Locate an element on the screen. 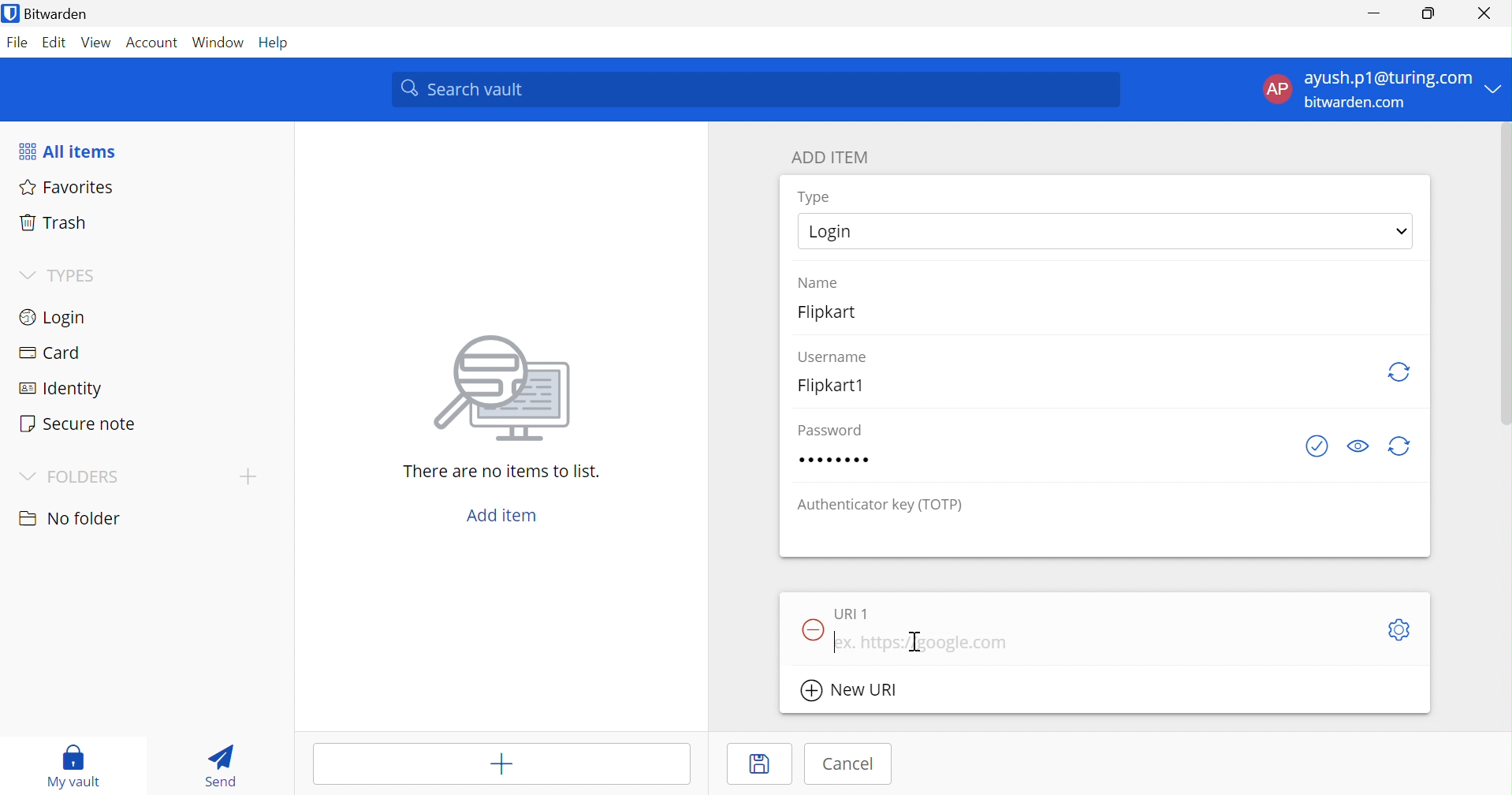  No folder is located at coordinates (73, 519).